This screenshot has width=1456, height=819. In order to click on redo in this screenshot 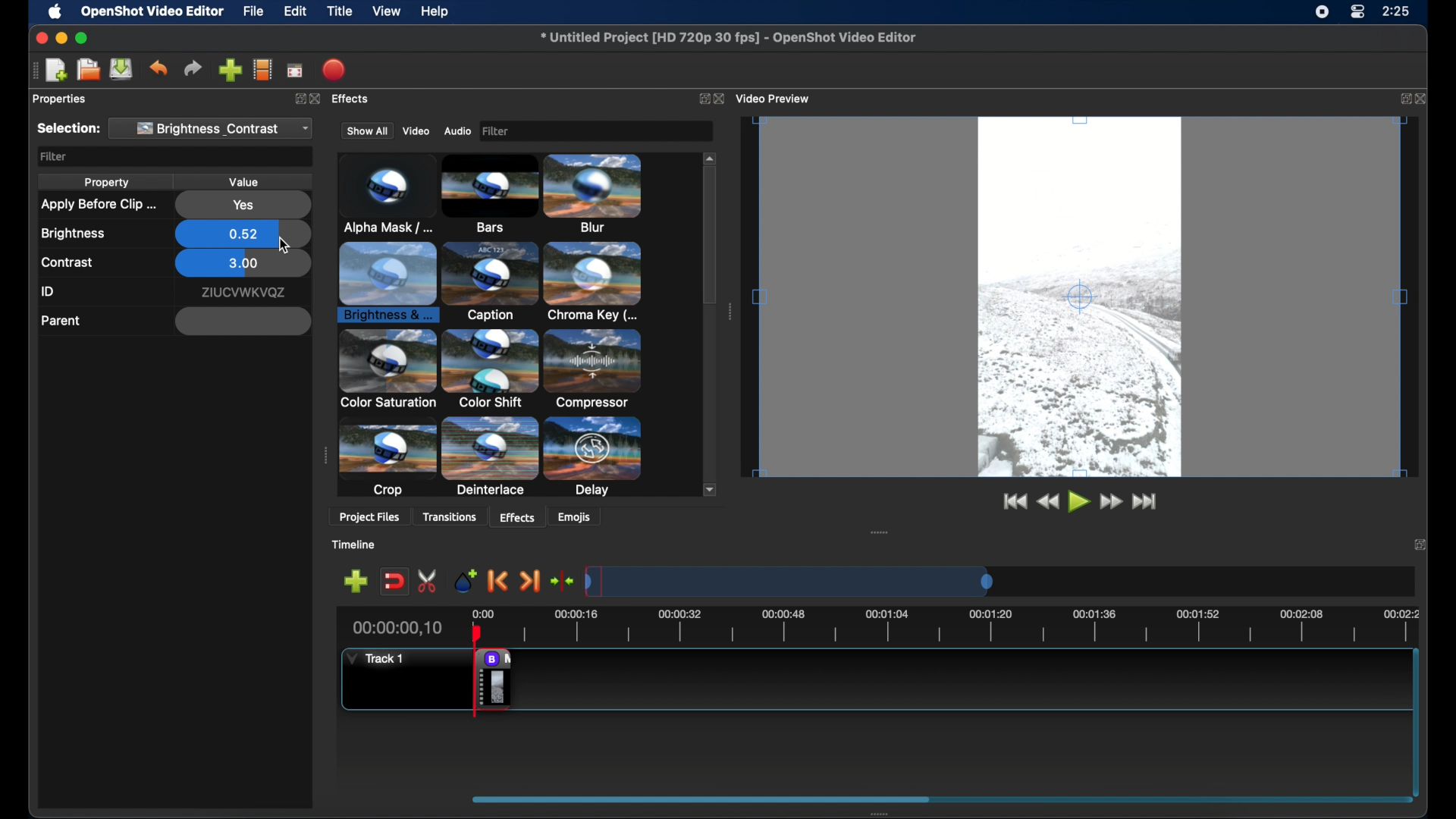, I will do `click(193, 68)`.